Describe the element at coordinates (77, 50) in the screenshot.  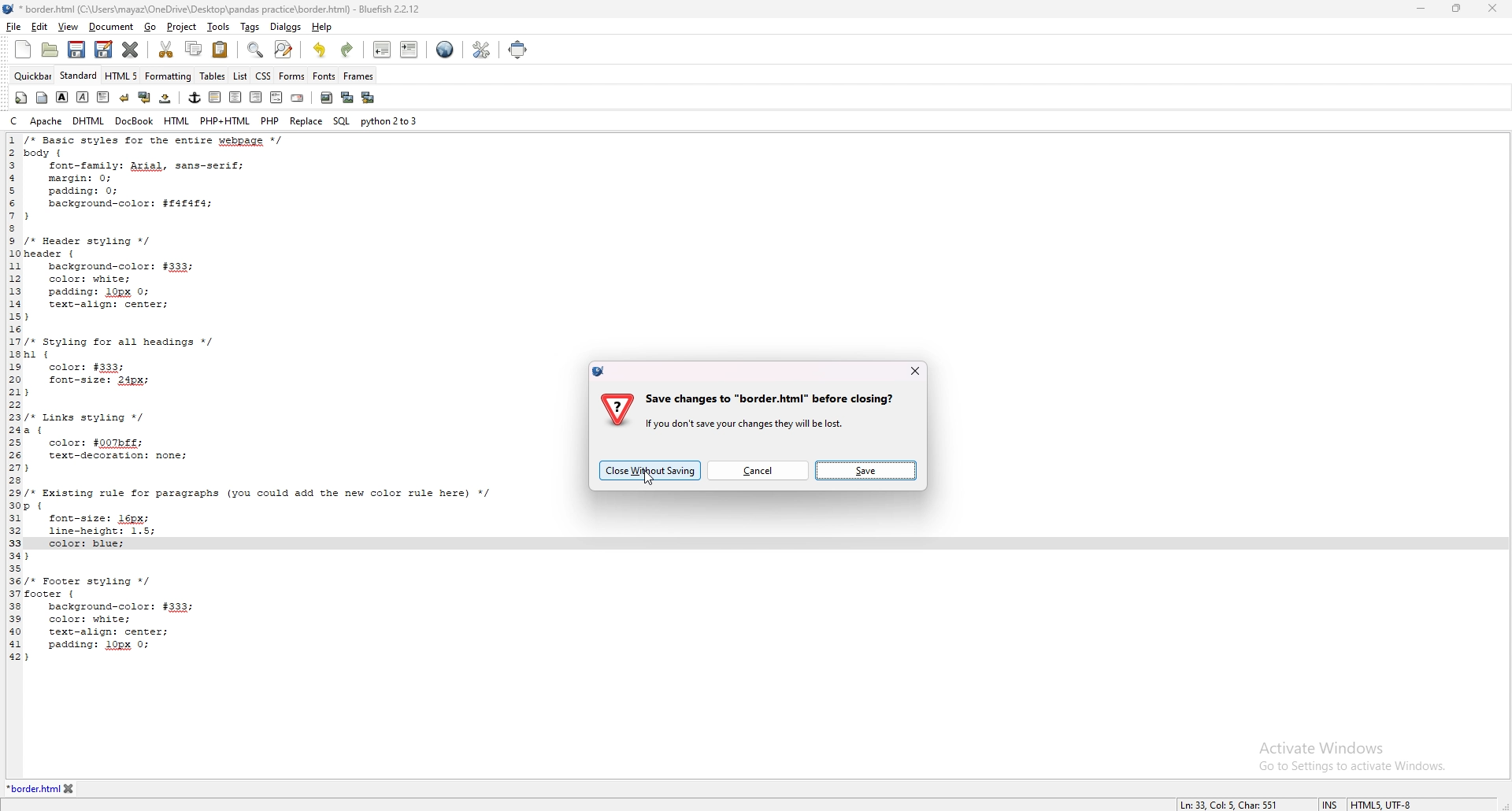
I see `save` at that location.